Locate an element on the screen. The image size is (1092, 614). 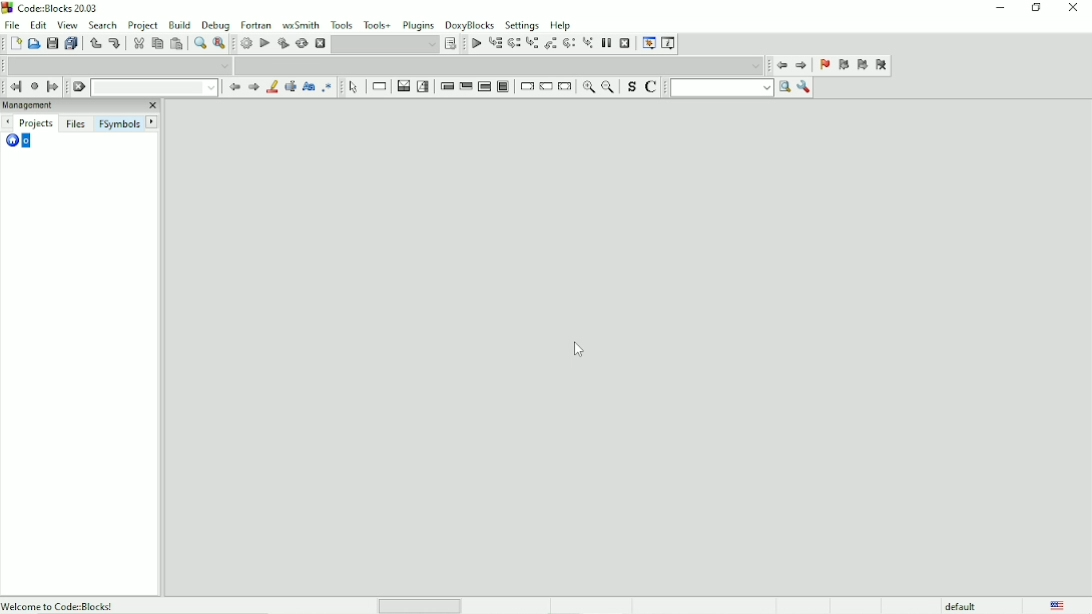
Open is located at coordinates (34, 44).